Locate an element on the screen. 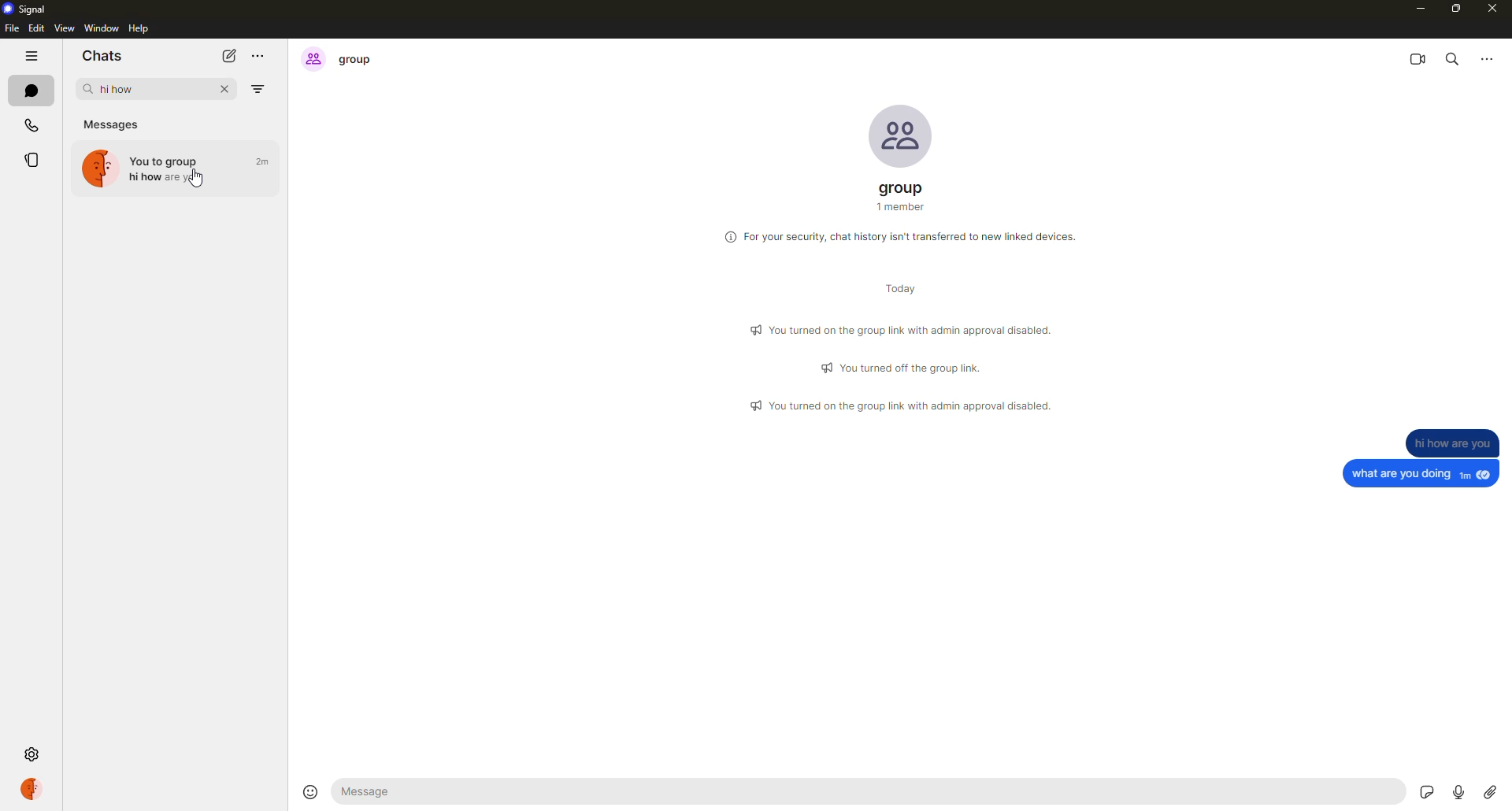  maximize is located at coordinates (1458, 9).